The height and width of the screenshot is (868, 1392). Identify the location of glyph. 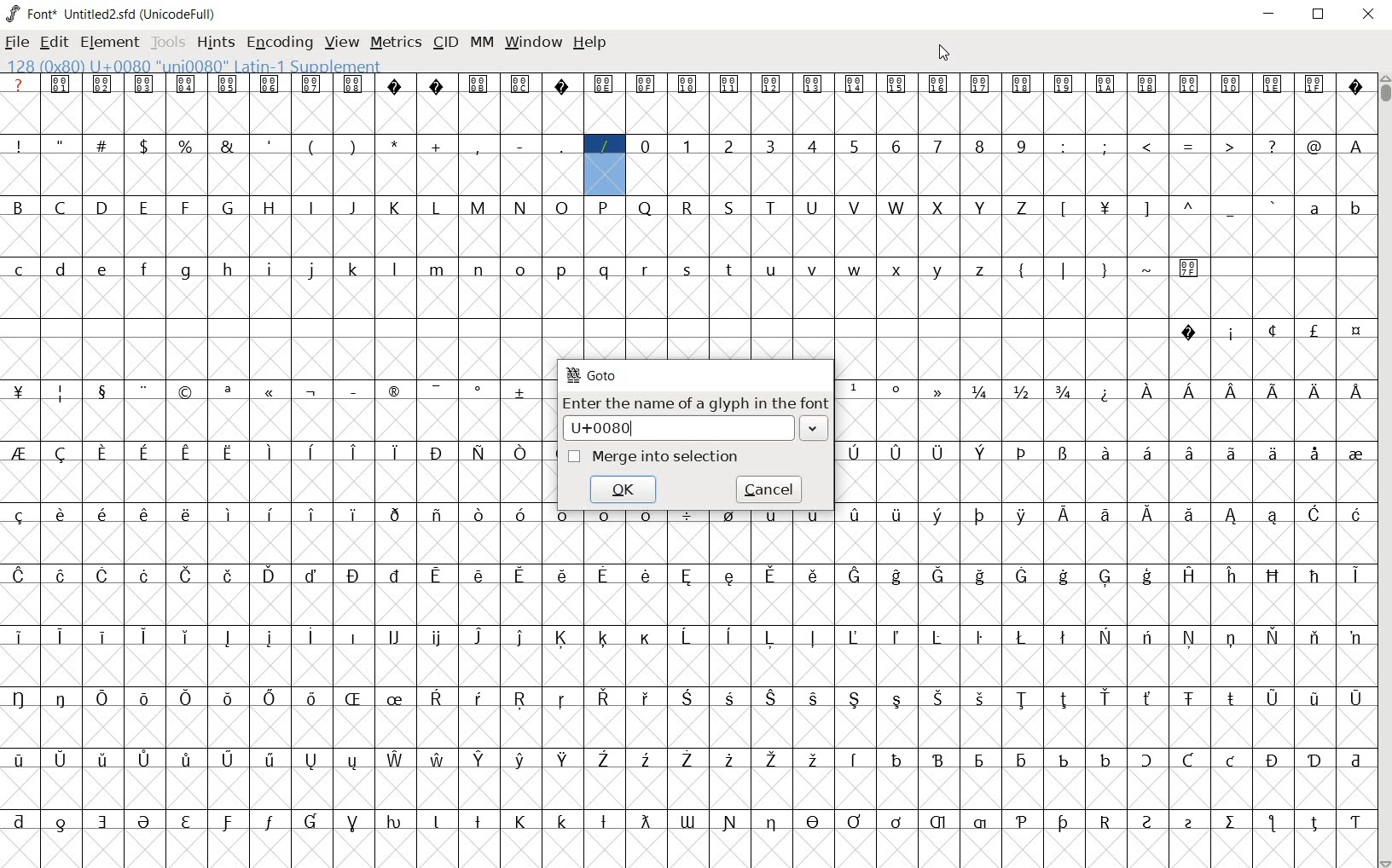
(478, 392).